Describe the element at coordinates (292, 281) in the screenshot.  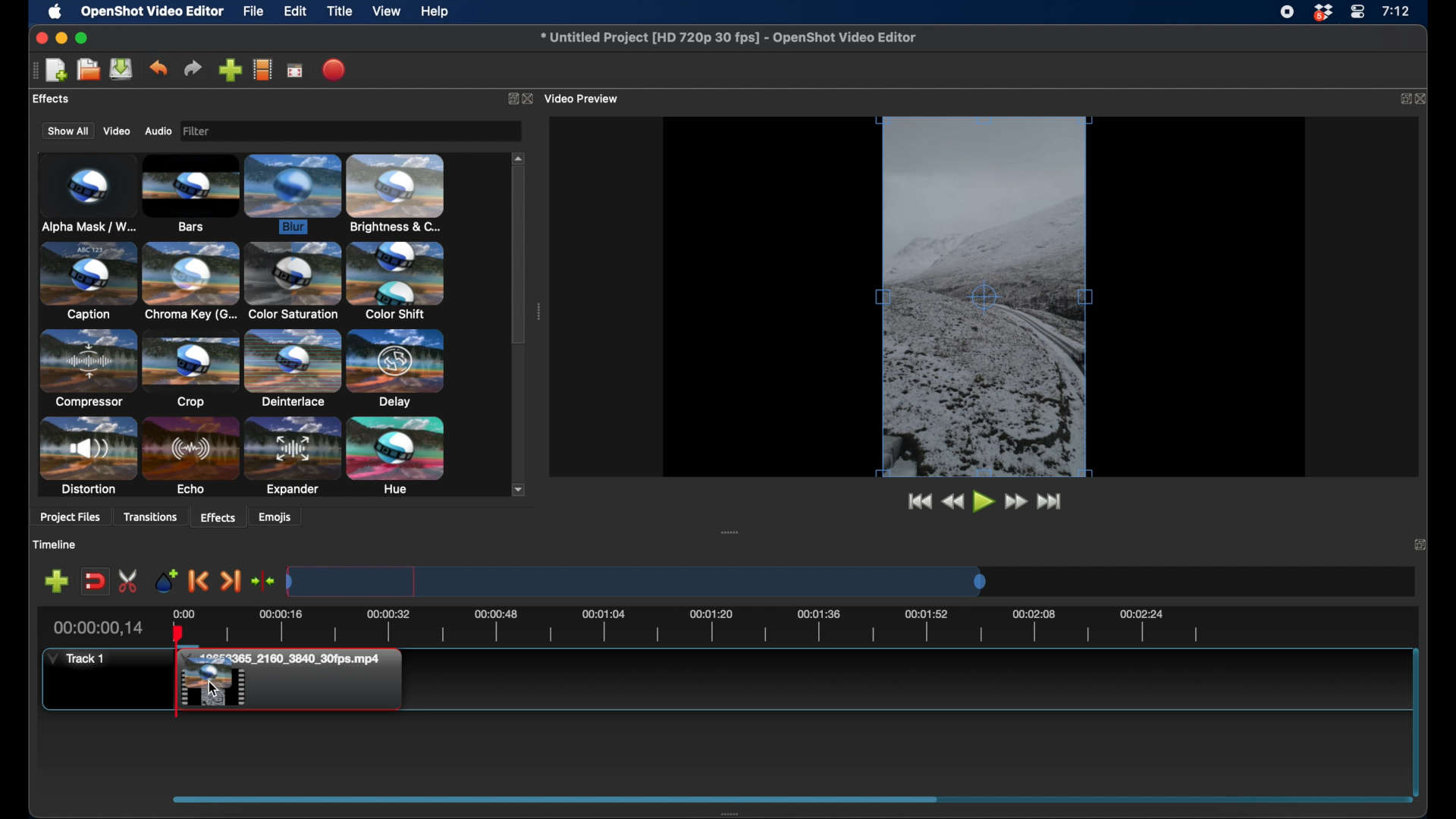
I see `color saturation` at that location.